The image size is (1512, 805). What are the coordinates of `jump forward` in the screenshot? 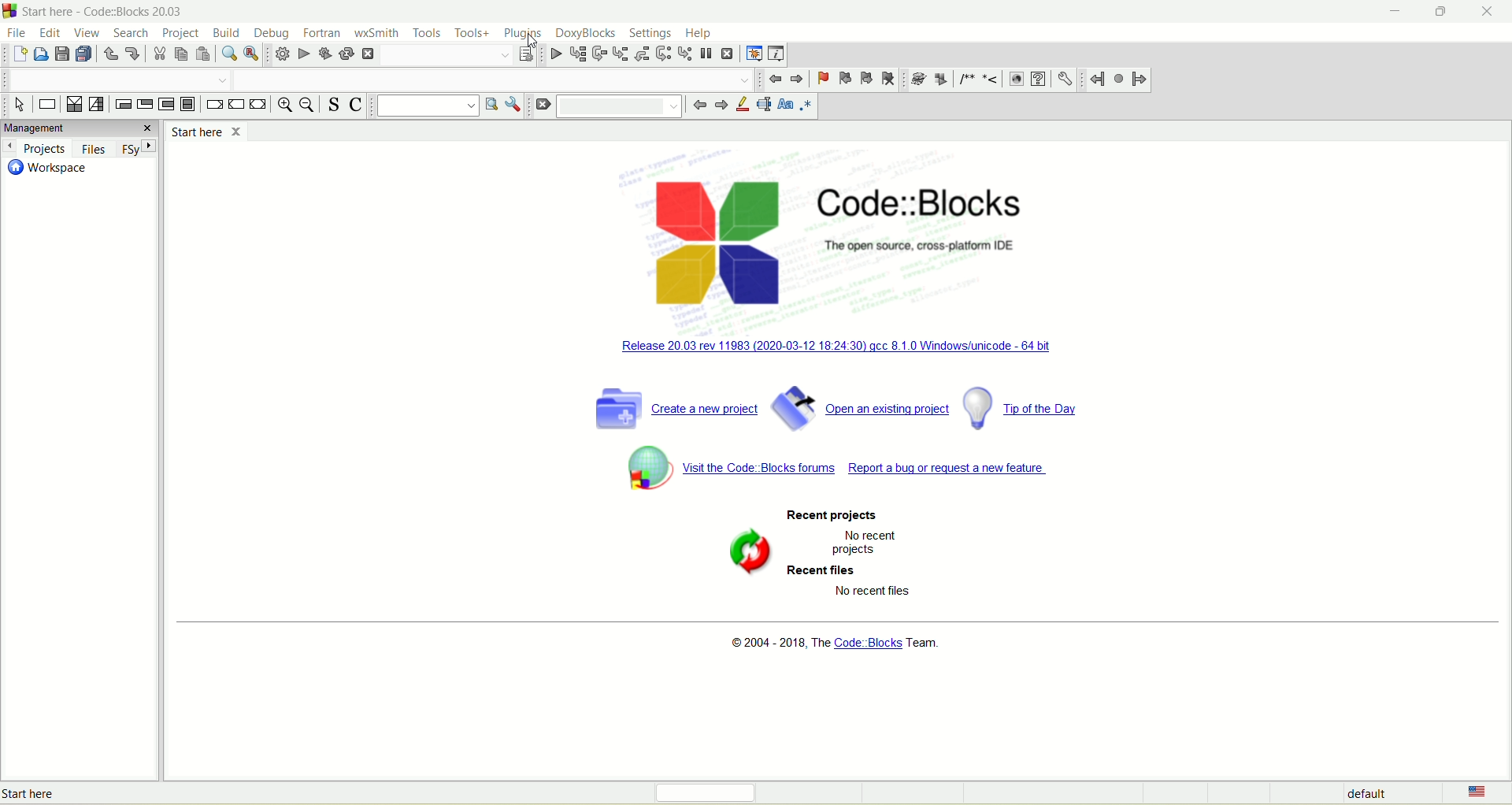 It's located at (1142, 80).